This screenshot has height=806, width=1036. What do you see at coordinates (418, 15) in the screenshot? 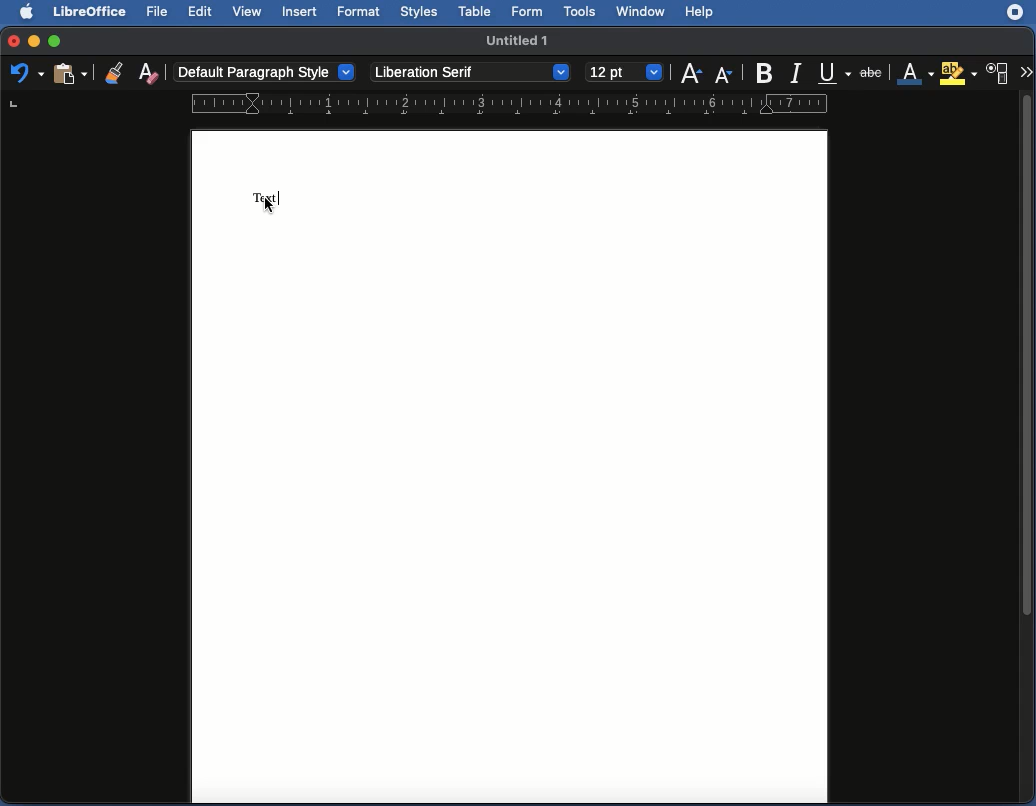
I see `Styles` at bounding box center [418, 15].